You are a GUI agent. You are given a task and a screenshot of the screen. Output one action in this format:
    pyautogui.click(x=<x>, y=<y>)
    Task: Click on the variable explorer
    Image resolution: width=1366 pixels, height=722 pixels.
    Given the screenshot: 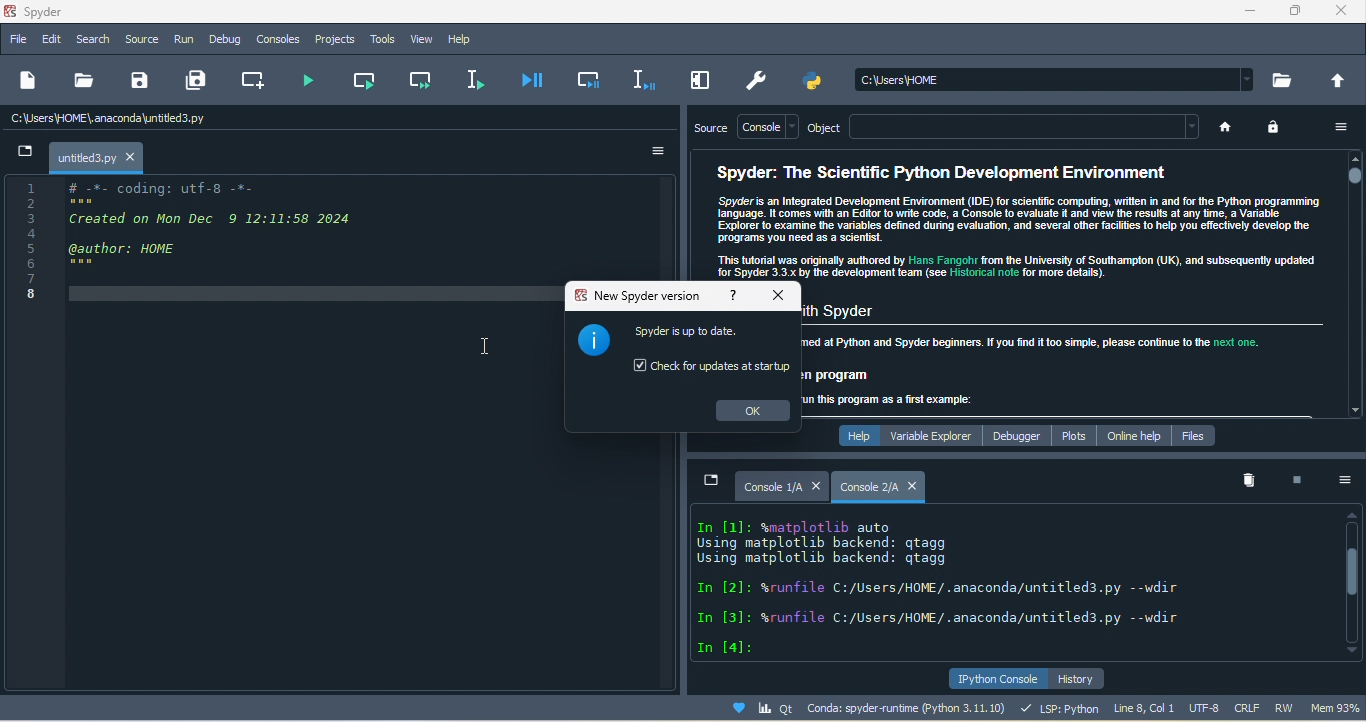 What is the action you would take?
    pyautogui.click(x=934, y=435)
    